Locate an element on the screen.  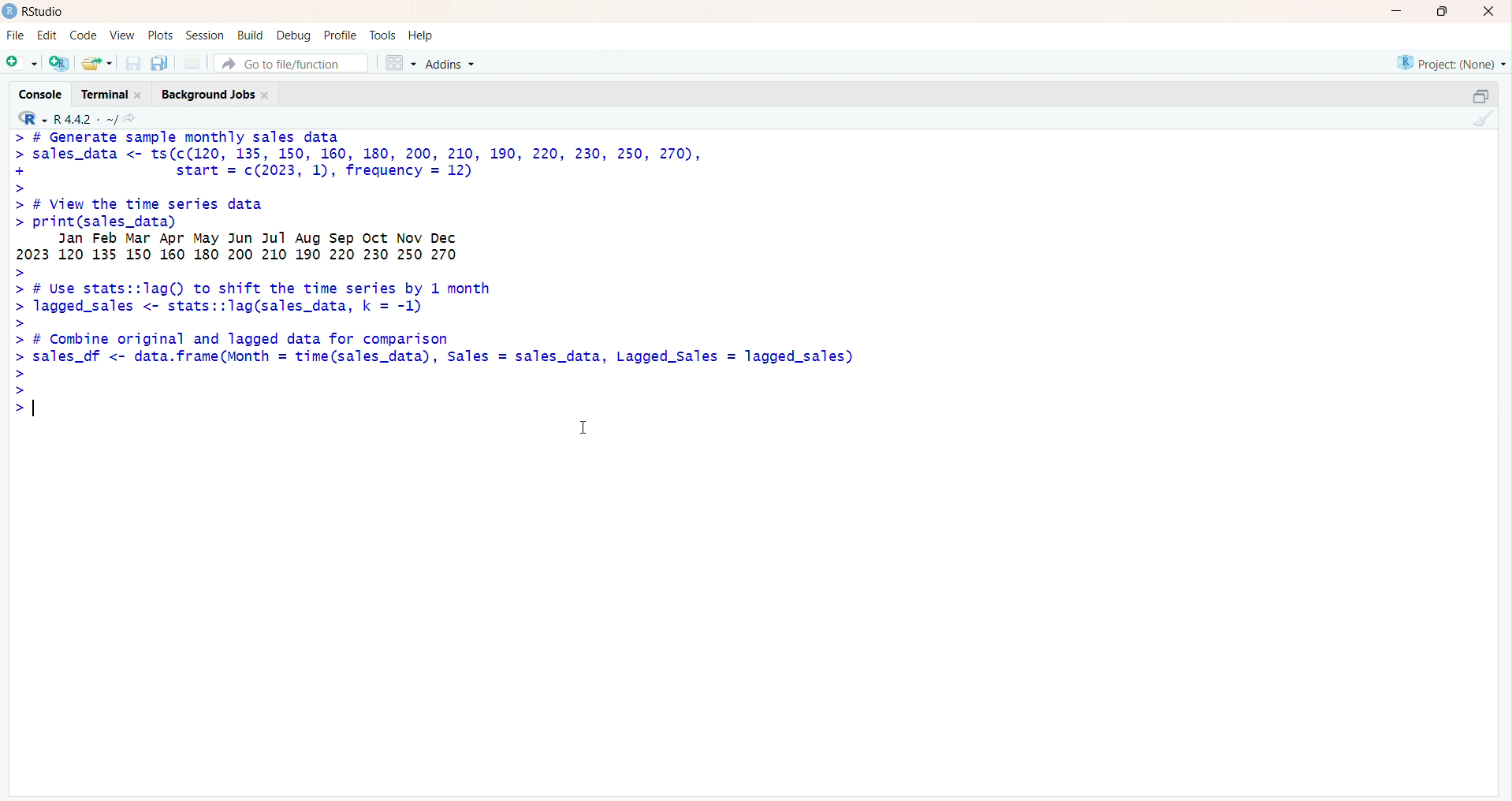
new script is located at coordinates (20, 63).